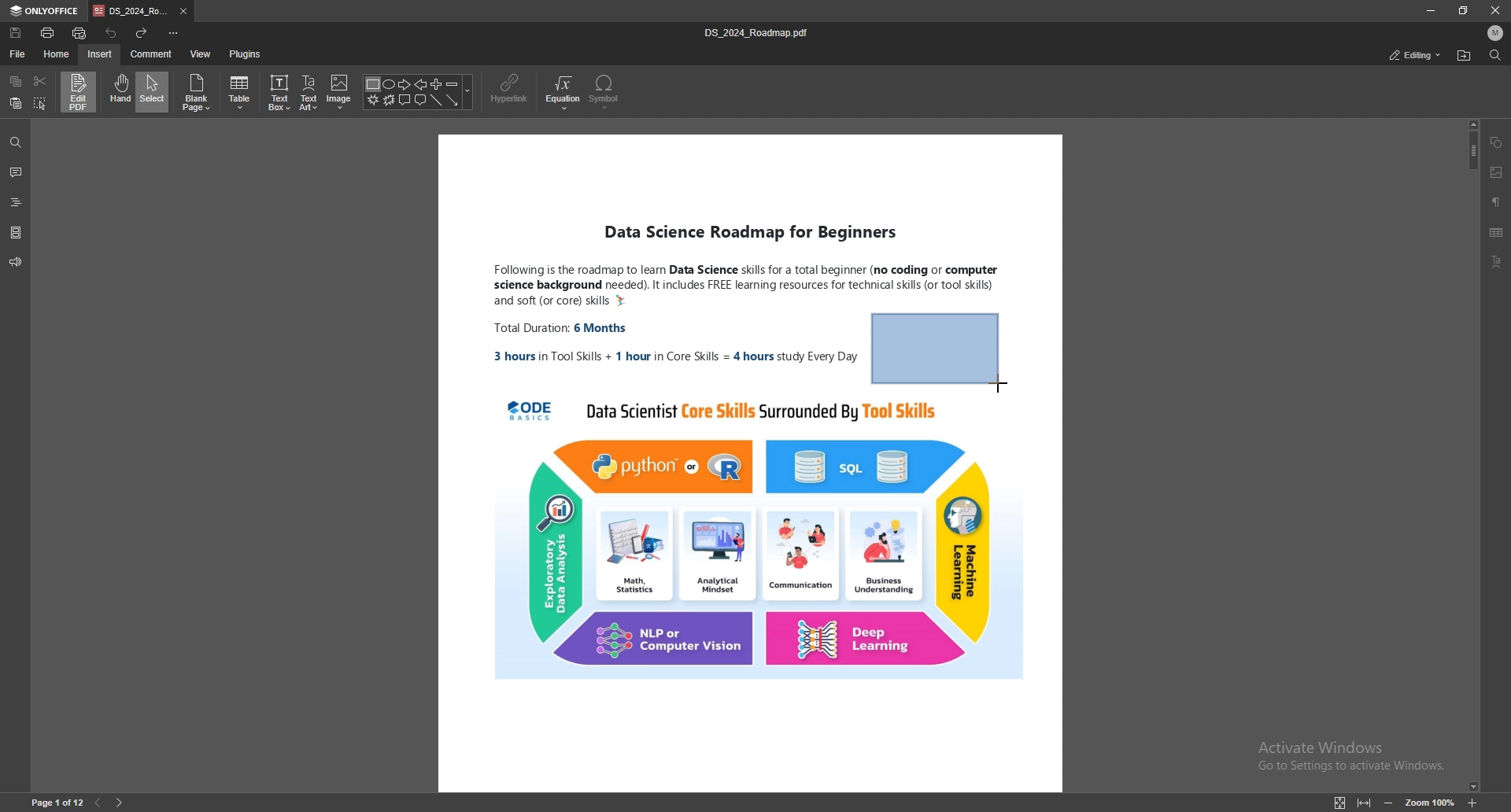 Image resolution: width=1511 pixels, height=812 pixels. I want to click on tab, so click(131, 12).